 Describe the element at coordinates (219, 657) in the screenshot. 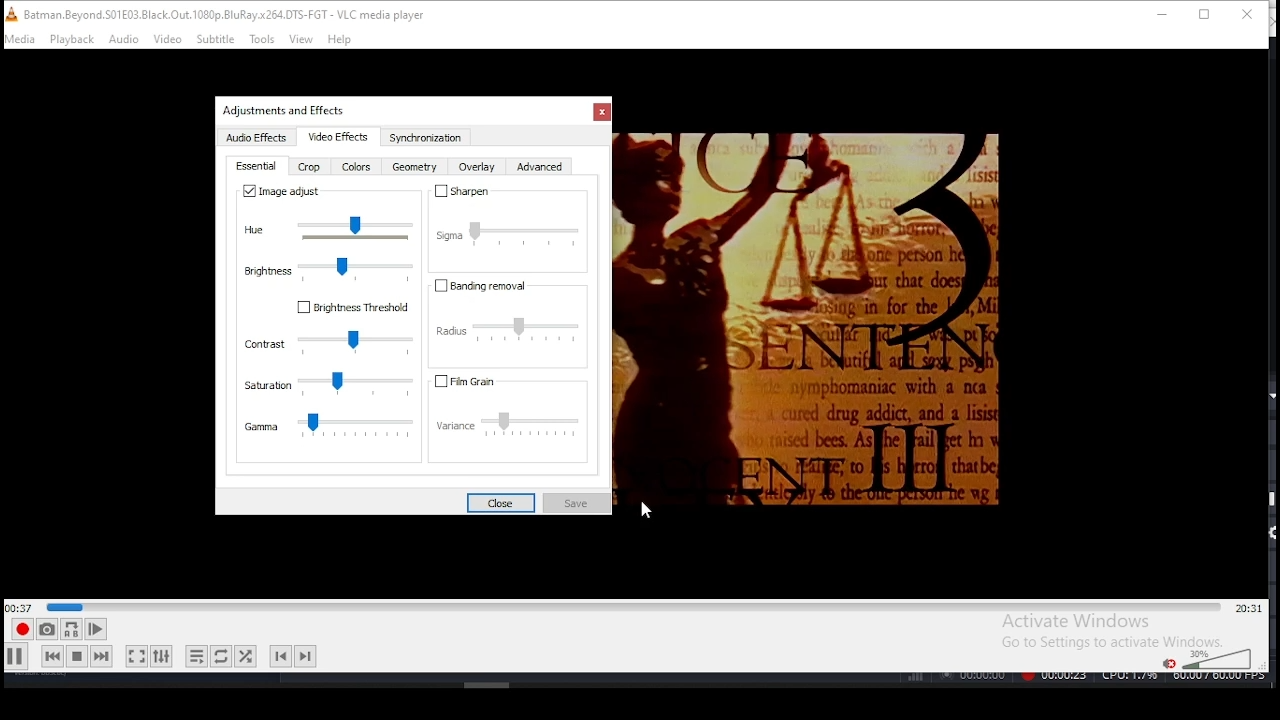

I see `click to toggle between, loop all, loop one, and no loop` at that location.